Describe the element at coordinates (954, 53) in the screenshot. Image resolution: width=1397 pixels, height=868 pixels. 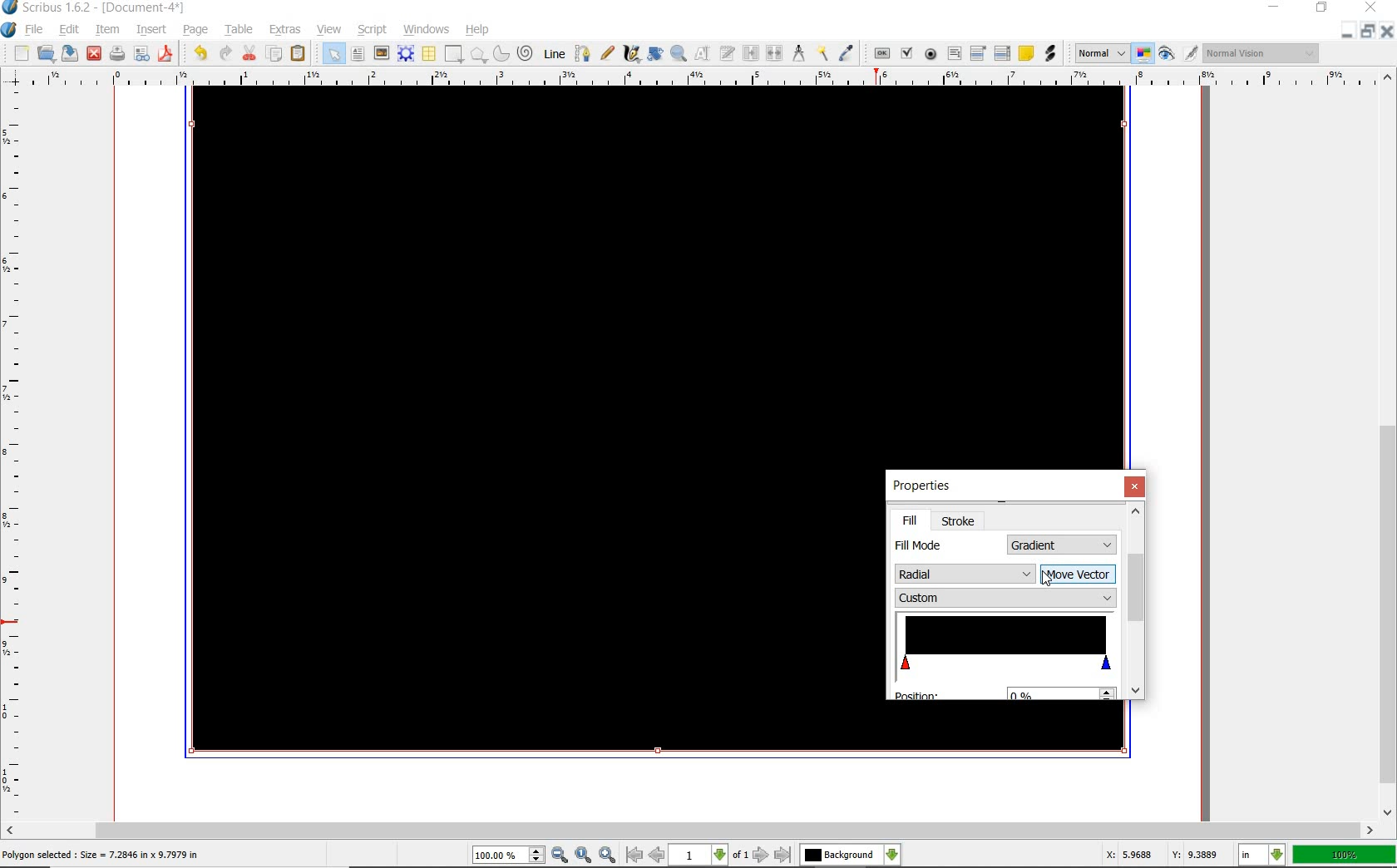
I see `pdf text field` at that location.